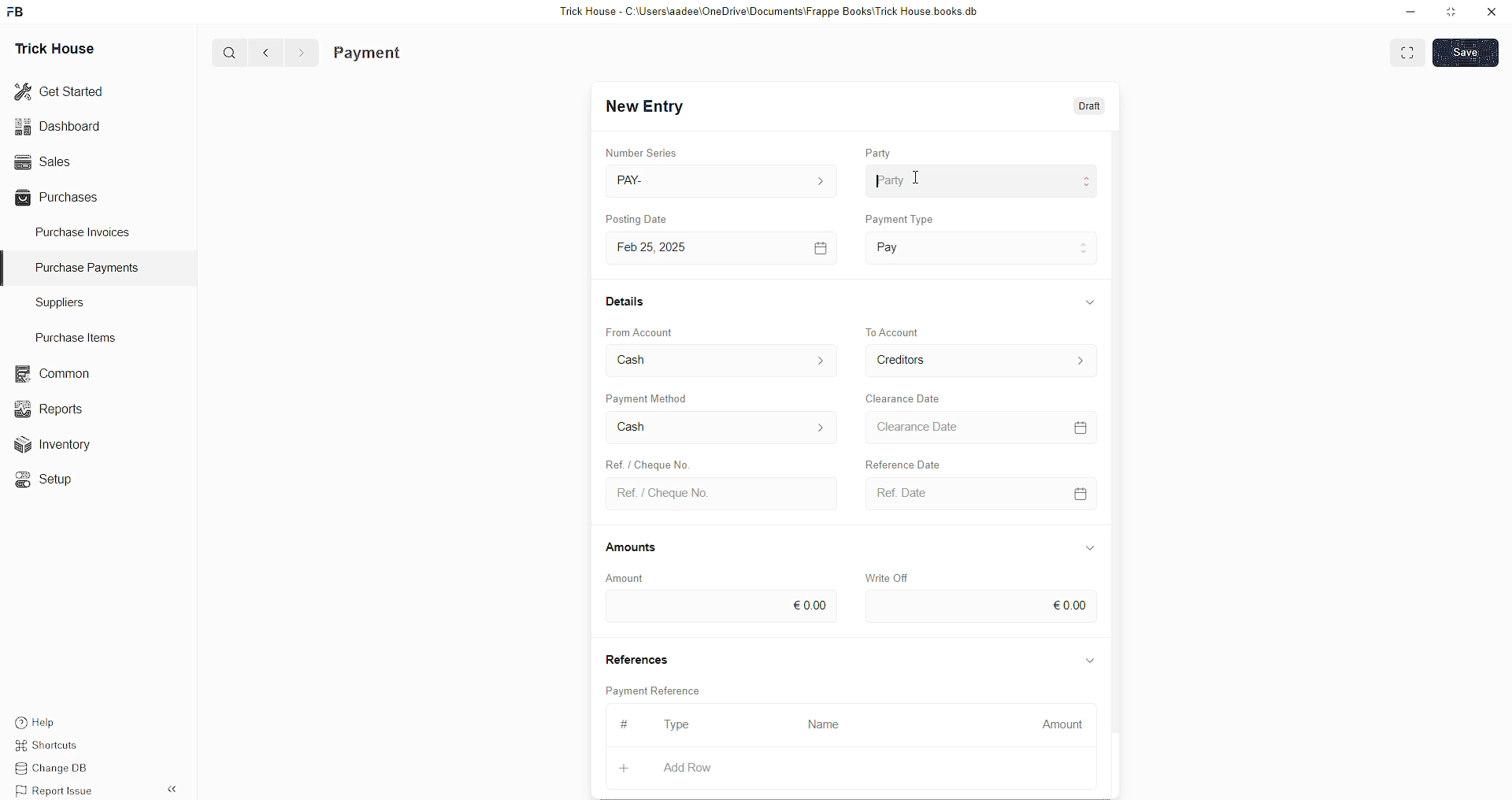 The width and height of the screenshot is (1512, 800). What do you see at coordinates (640, 659) in the screenshot?
I see `References` at bounding box center [640, 659].